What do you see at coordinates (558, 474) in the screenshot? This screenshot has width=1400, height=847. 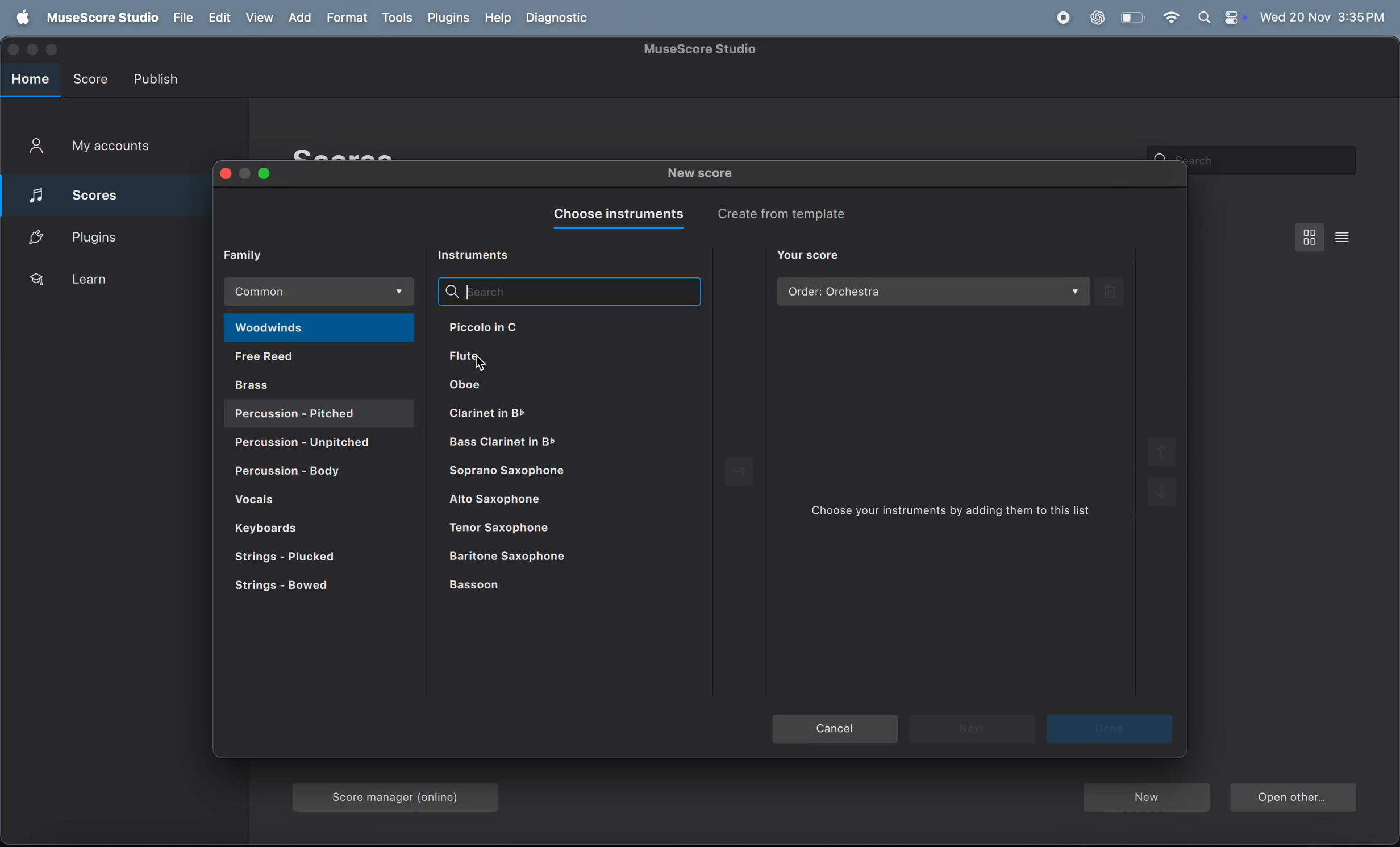 I see `saprno saxophone` at bounding box center [558, 474].